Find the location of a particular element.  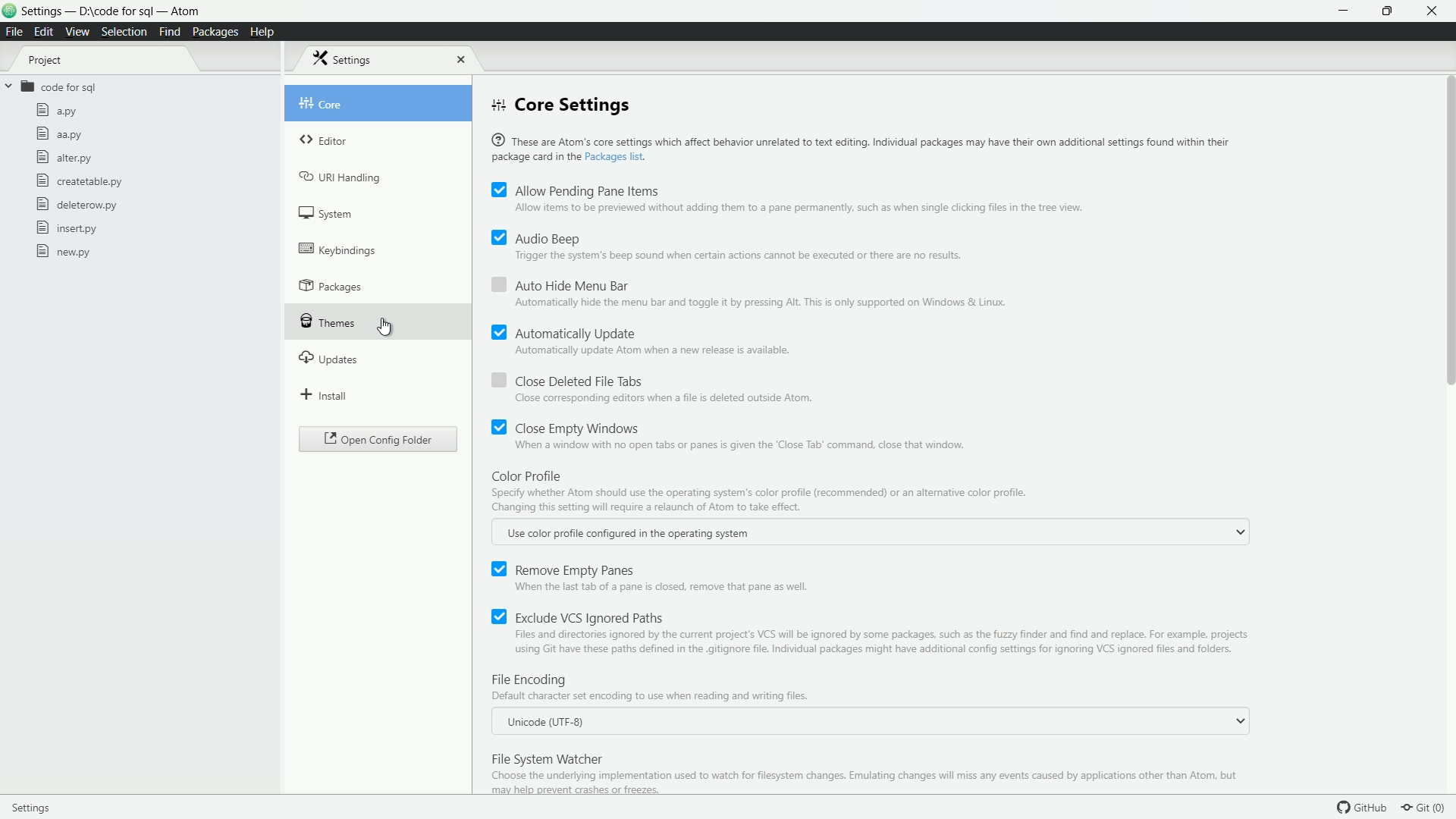

automatically hide the menu bar and toggle it by pressing alt, this is only supported on windows & linux is located at coordinates (756, 304).